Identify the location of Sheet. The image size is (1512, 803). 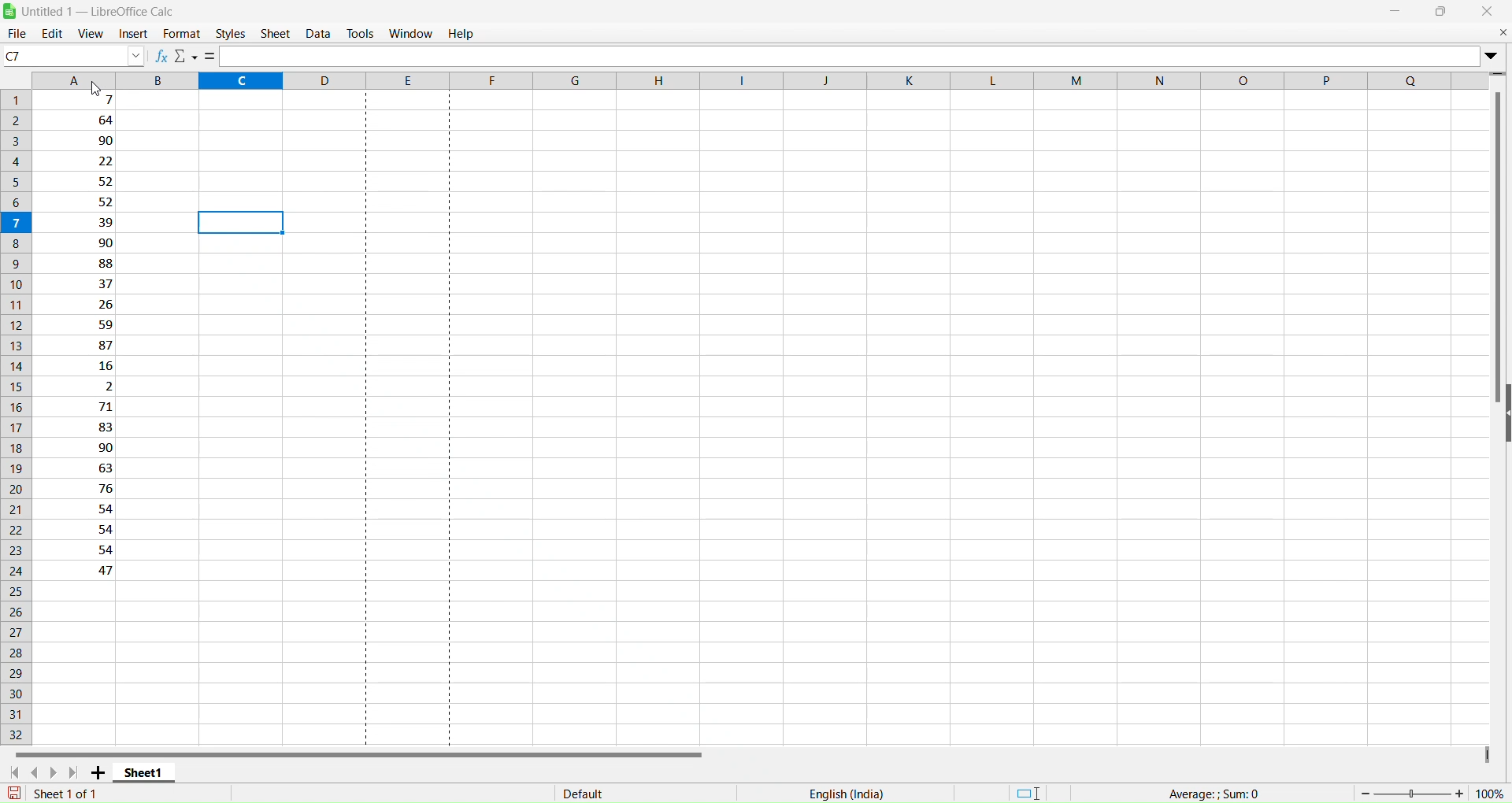
(276, 33).